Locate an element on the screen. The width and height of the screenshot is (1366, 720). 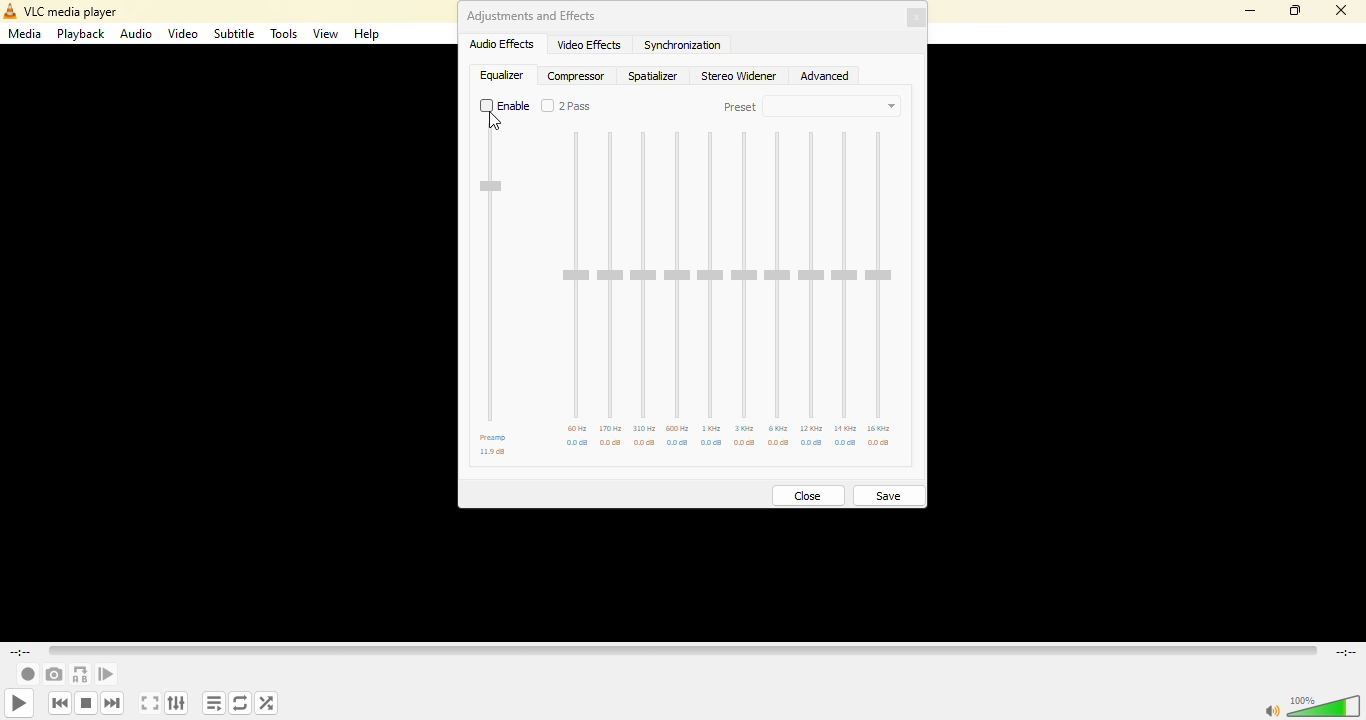
take a snapshot is located at coordinates (53, 674).